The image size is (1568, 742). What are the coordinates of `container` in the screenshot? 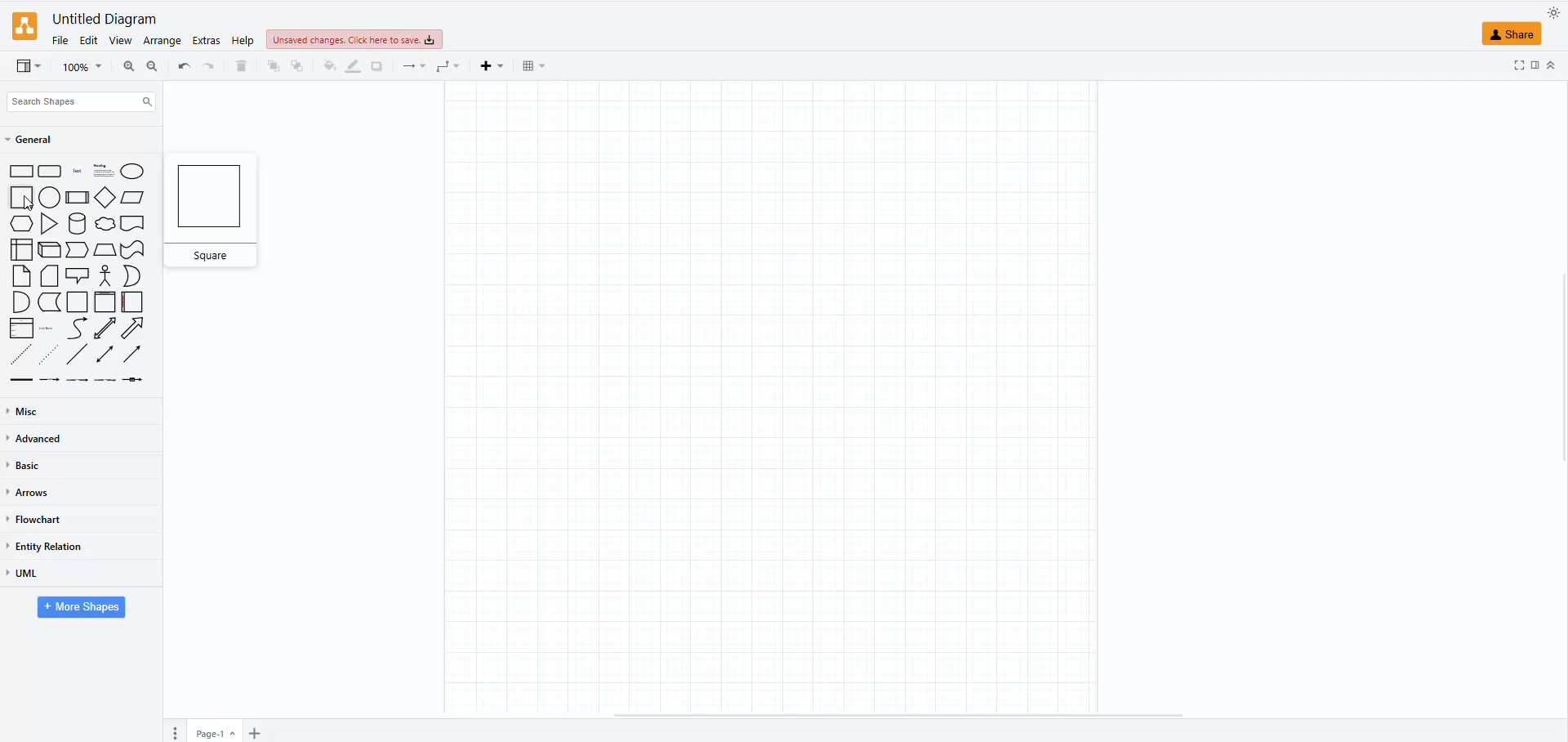 It's located at (78, 302).